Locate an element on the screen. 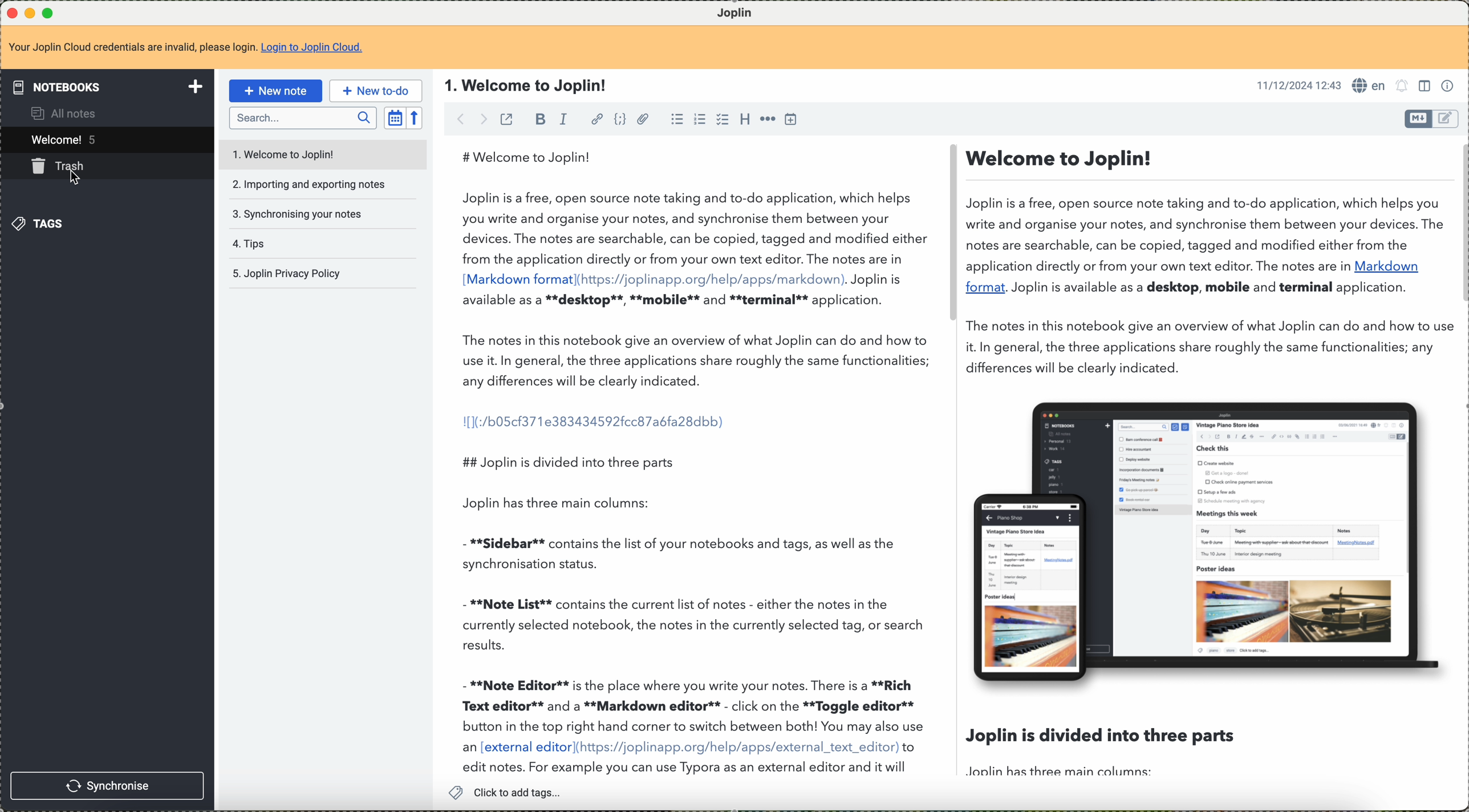 The image size is (1469, 812). synchronising your notes is located at coordinates (300, 213).